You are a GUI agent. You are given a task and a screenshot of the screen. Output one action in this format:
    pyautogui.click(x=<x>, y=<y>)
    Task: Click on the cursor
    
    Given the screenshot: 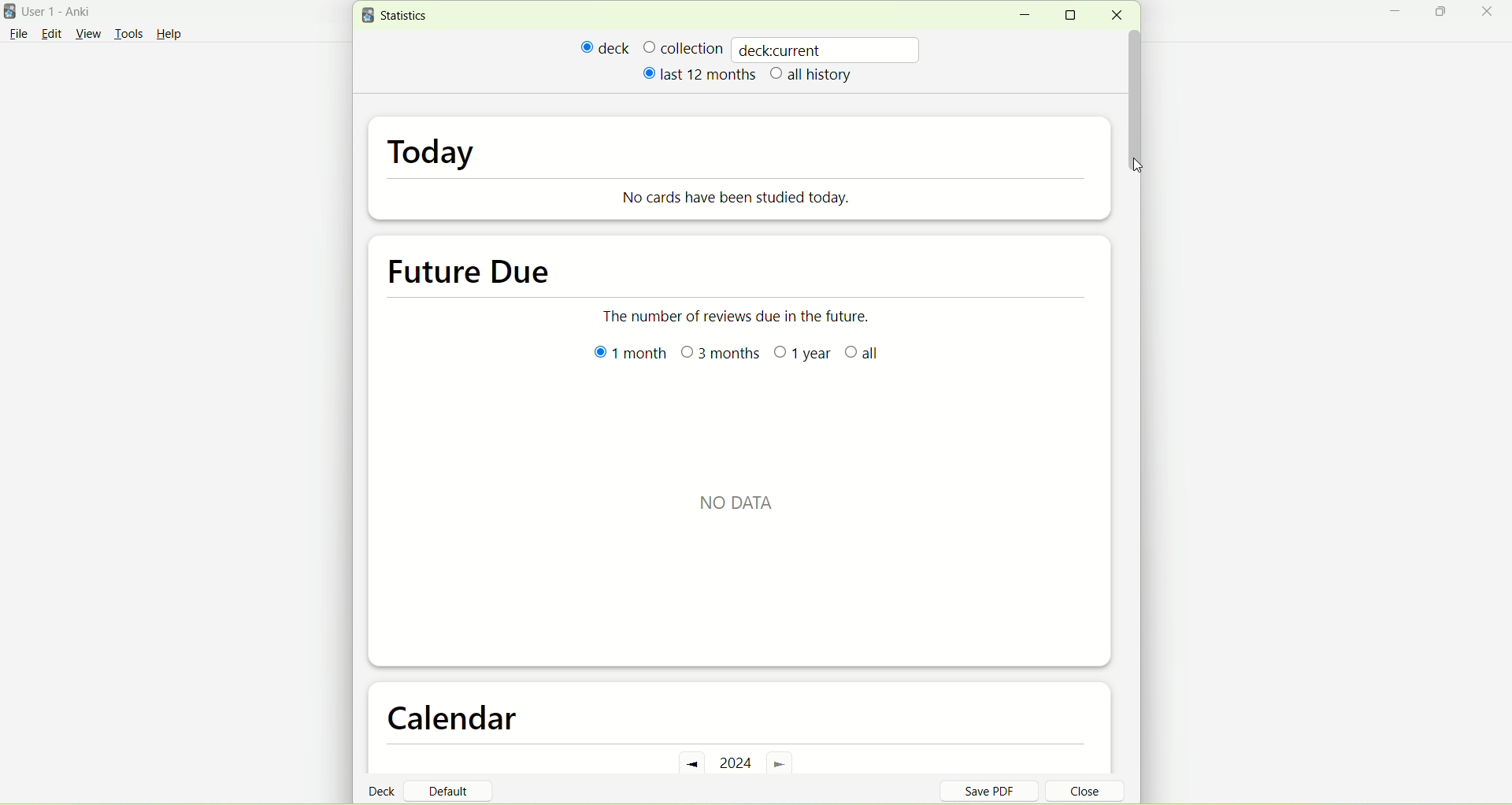 What is the action you would take?
    pyautogui.click(x=1138, y=165)
    